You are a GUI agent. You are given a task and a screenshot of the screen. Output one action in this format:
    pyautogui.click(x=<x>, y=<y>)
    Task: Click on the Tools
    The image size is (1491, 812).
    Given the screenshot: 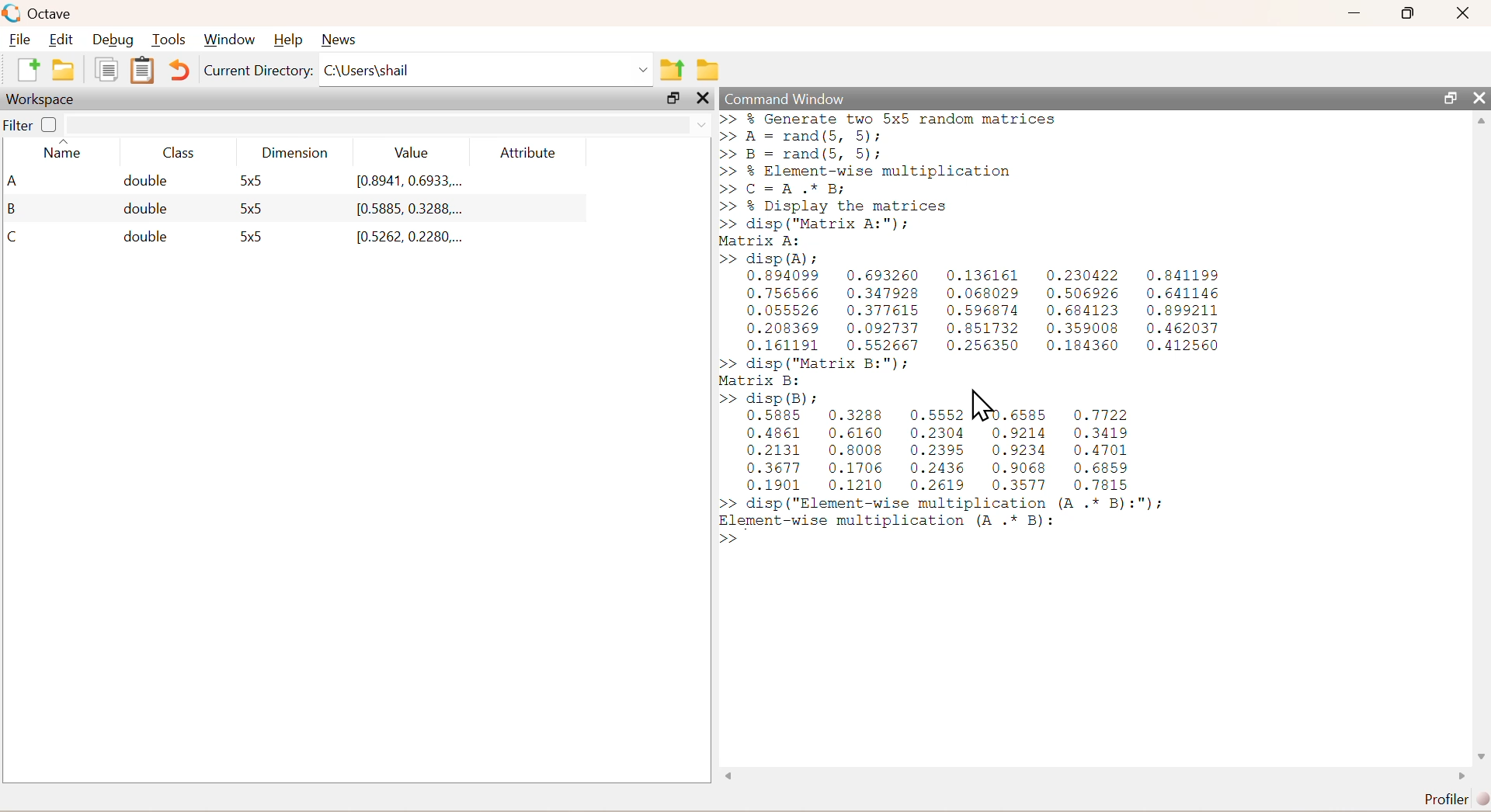 What is the action you would take?
    pyautogui.click(x=171, y=39)
    